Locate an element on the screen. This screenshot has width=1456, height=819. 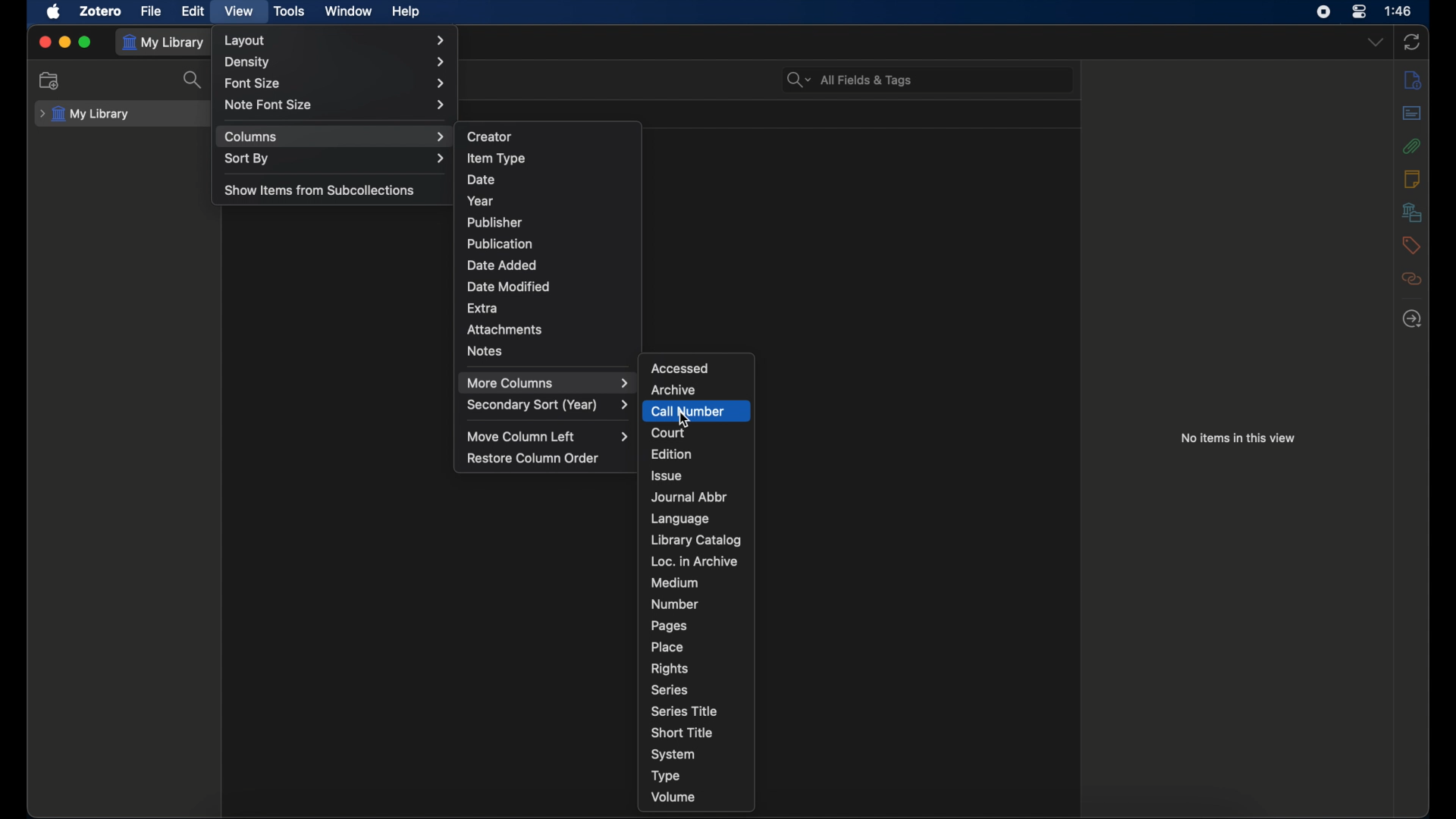
issue is located at coordinates (668, 475).